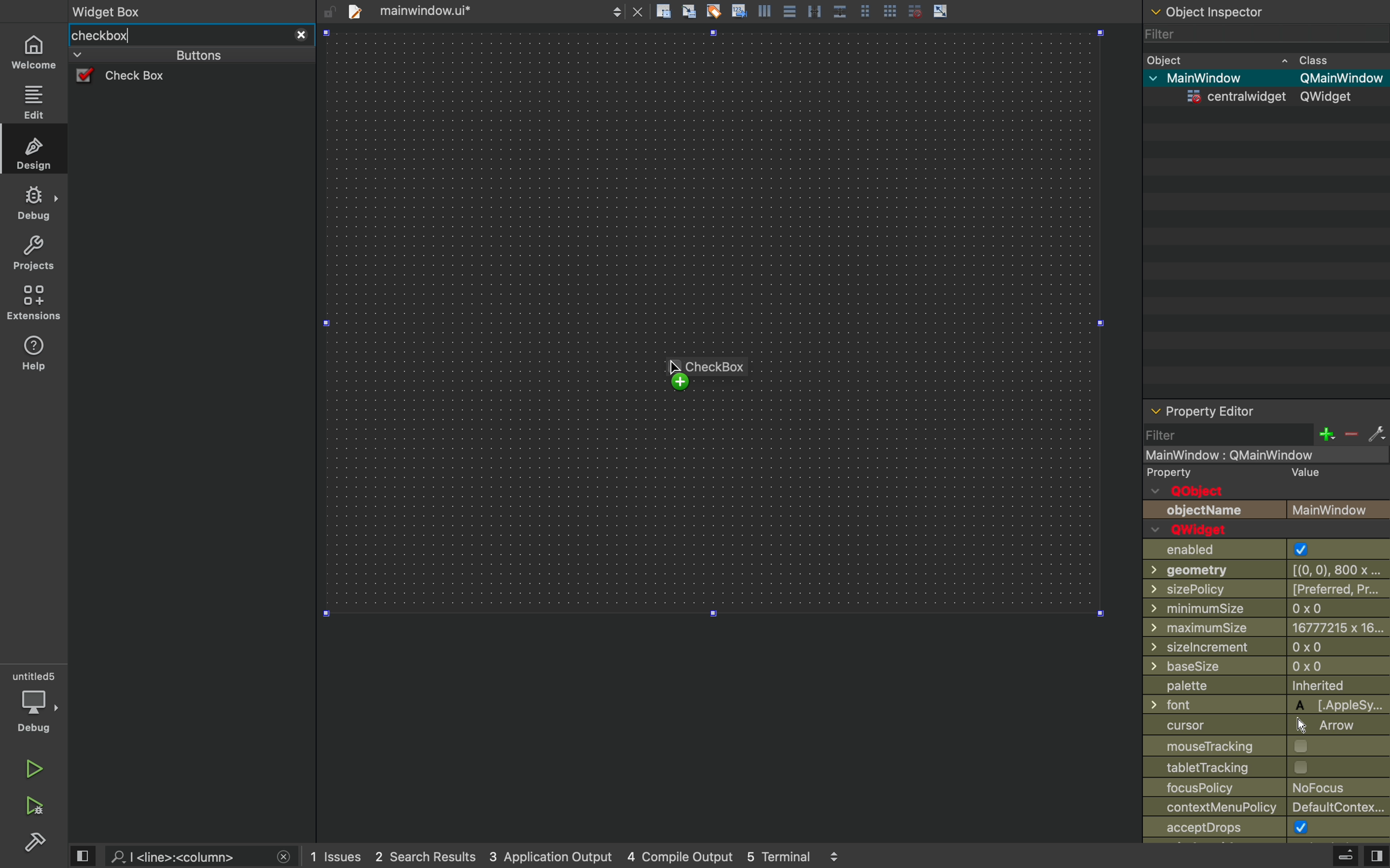 The image size is (1390, 868). Describe the element at coordinates (790, 10) in the screenshot. I see `align center` at that location.